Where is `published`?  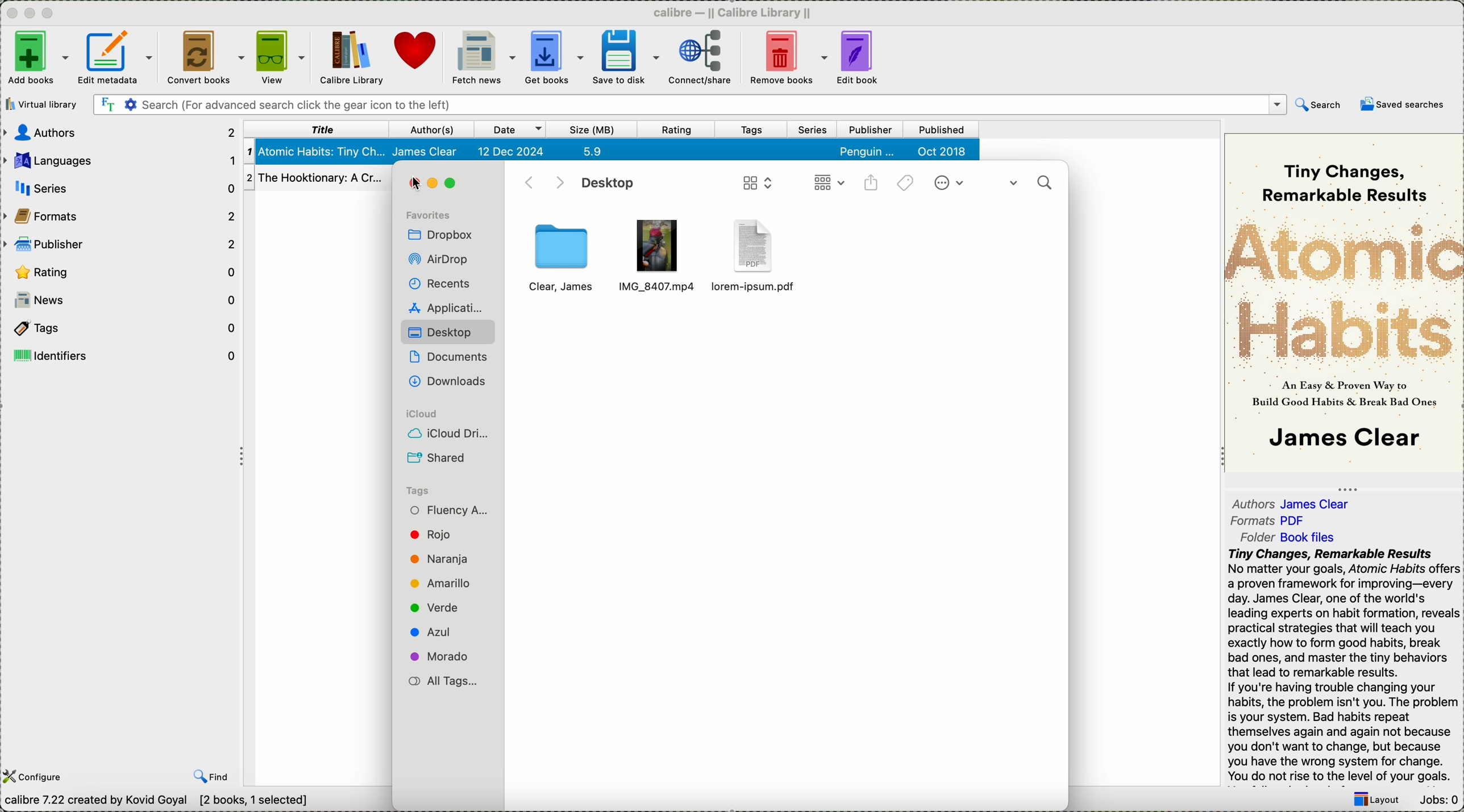 published is located at coordinates (943, 130).